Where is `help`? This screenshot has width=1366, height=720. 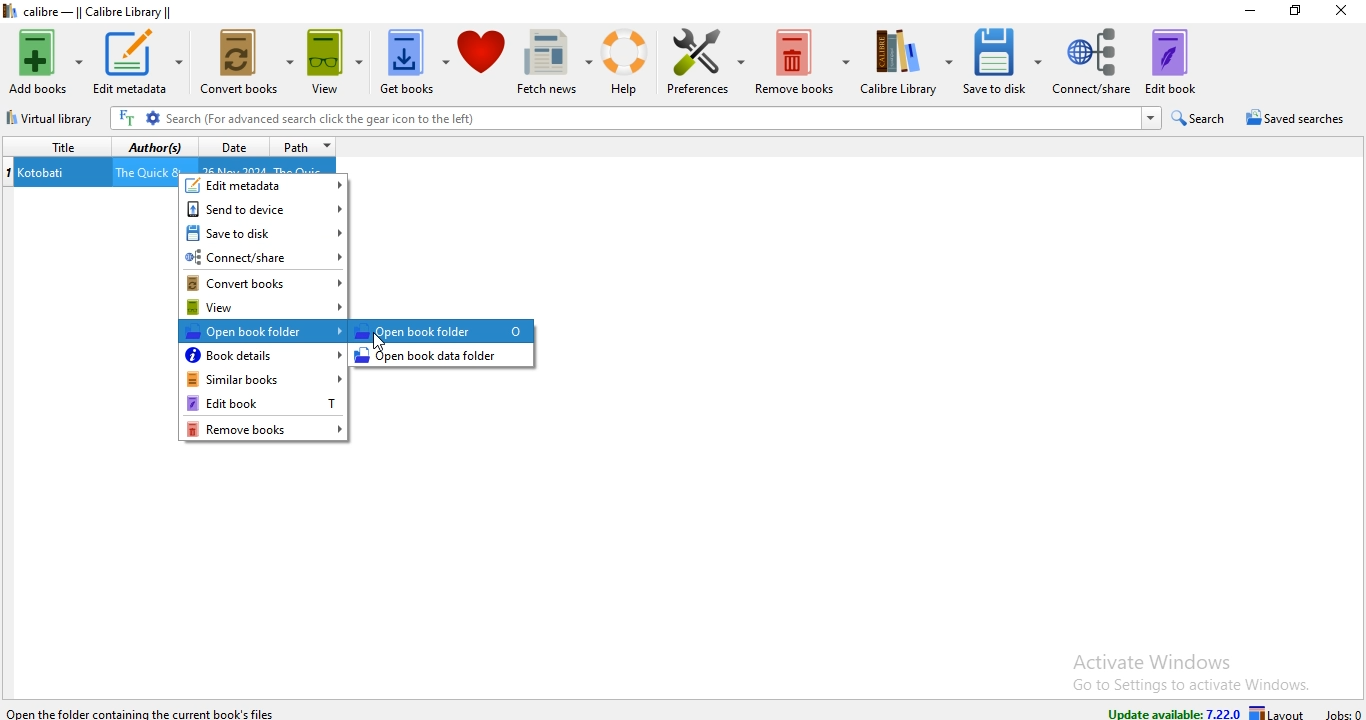 help is located at coordinates (624, 61).